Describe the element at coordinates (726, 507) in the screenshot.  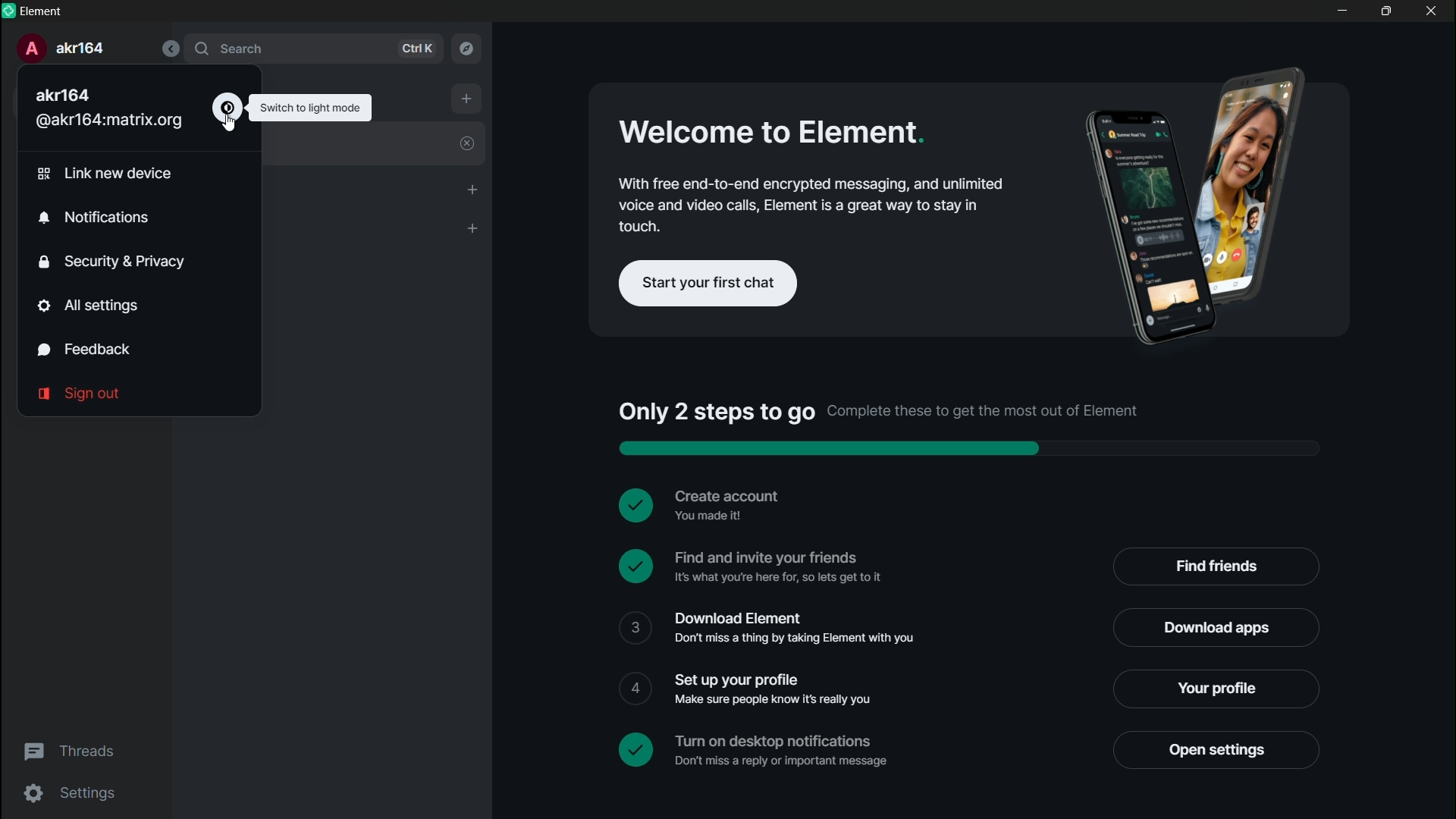
I see `Create account you made it` at that location.